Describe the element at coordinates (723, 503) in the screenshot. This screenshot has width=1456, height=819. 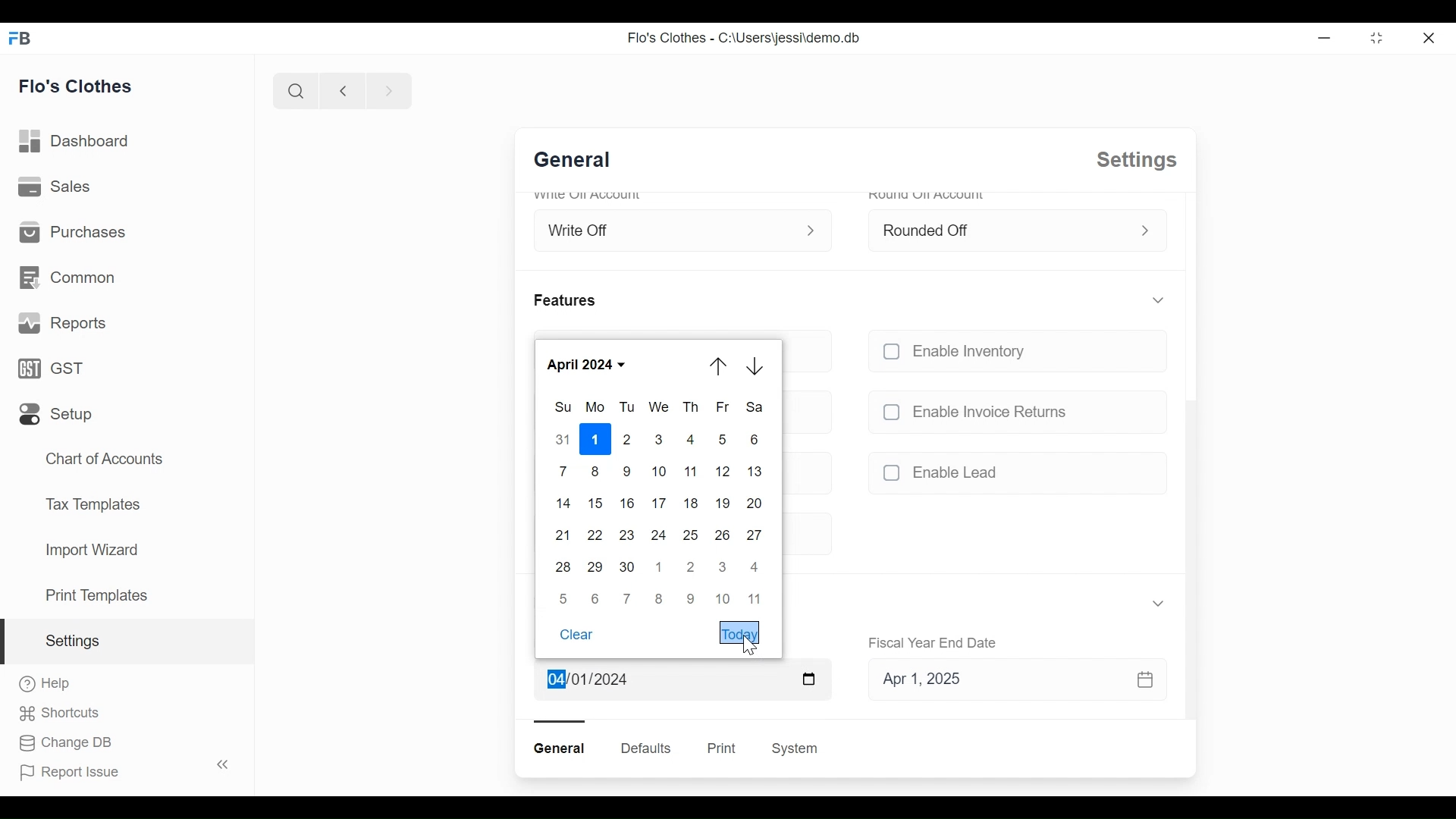
I see `19` at that location.